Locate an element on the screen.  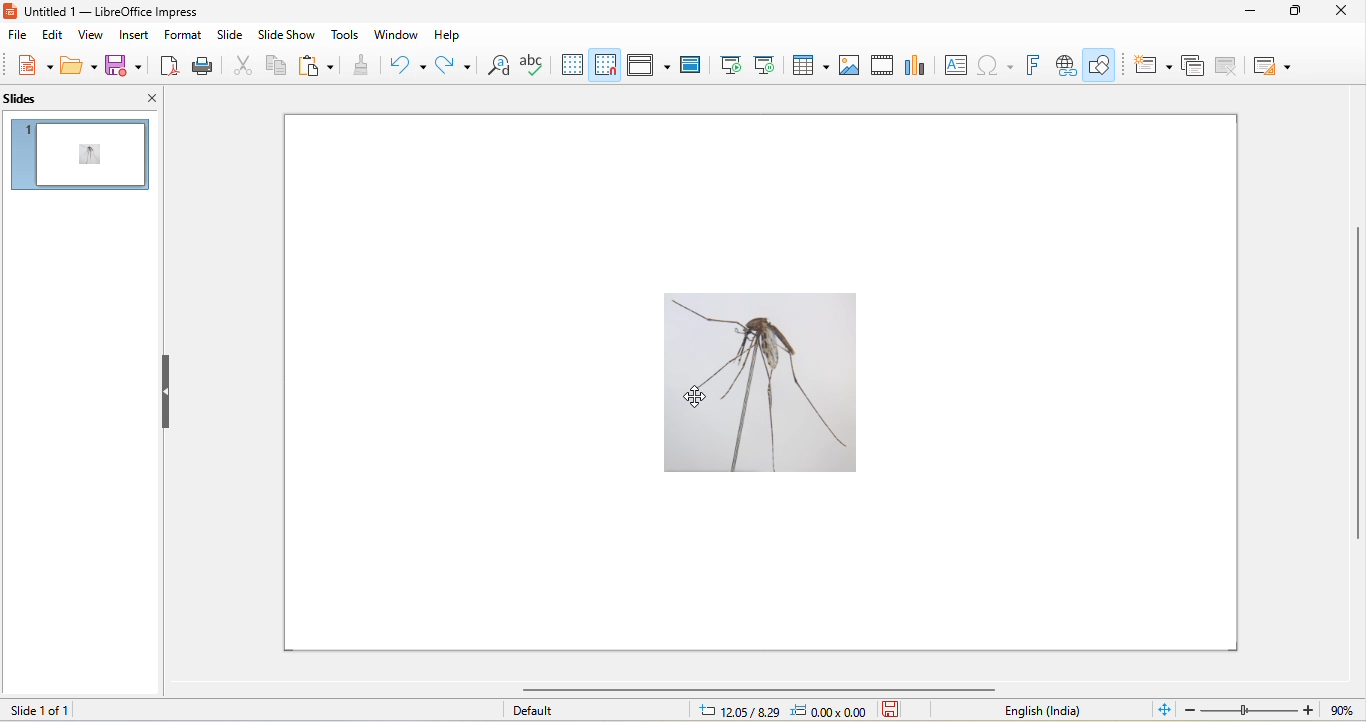
slide 1 of 1 is located at coordinates (38, 710).